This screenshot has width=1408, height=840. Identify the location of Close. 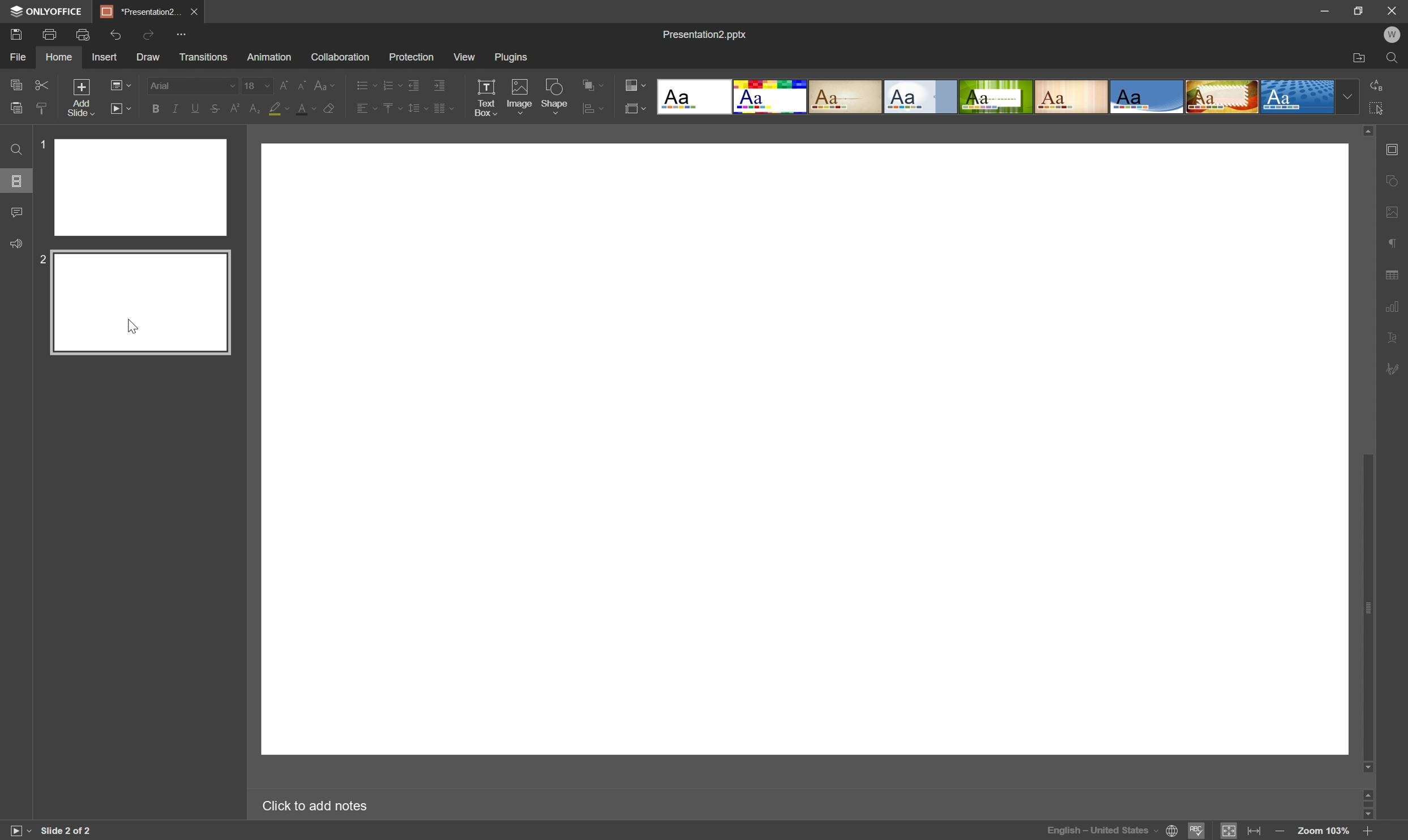
(193, 10).